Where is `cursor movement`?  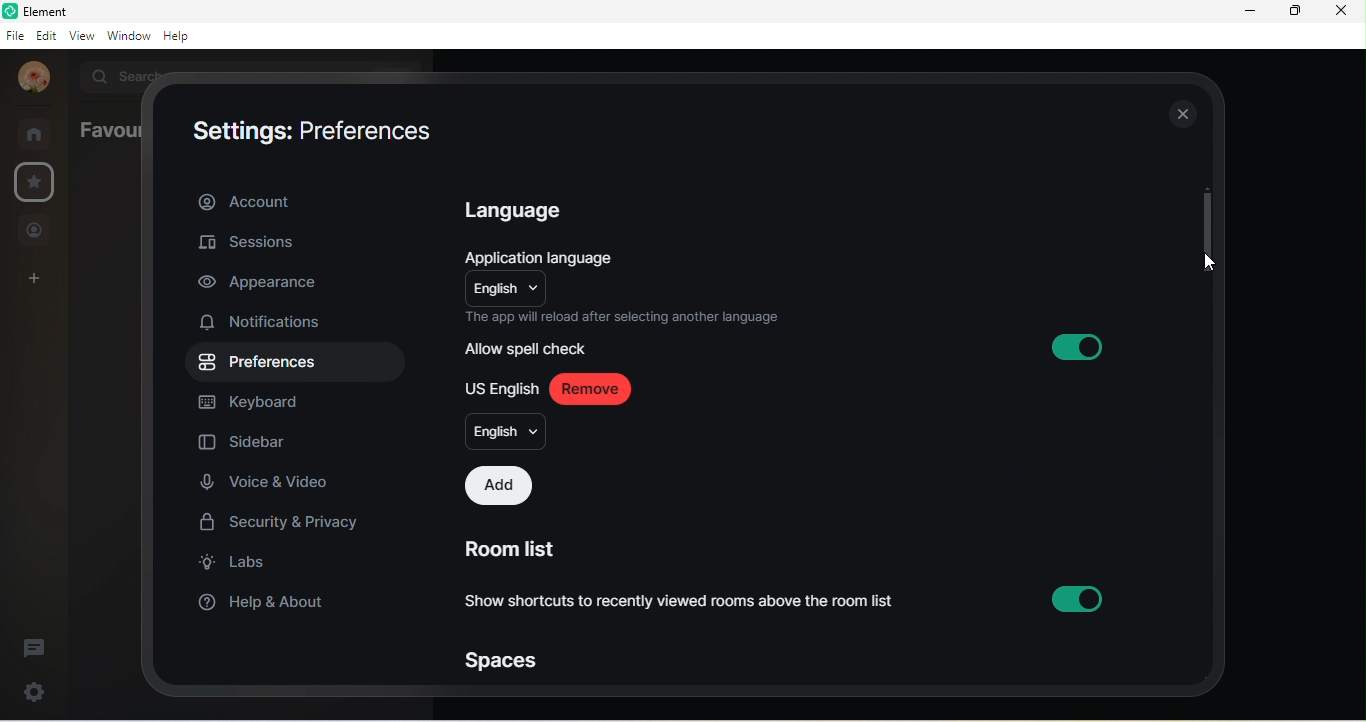
cursor movement is located at coordinates (1208, 264).